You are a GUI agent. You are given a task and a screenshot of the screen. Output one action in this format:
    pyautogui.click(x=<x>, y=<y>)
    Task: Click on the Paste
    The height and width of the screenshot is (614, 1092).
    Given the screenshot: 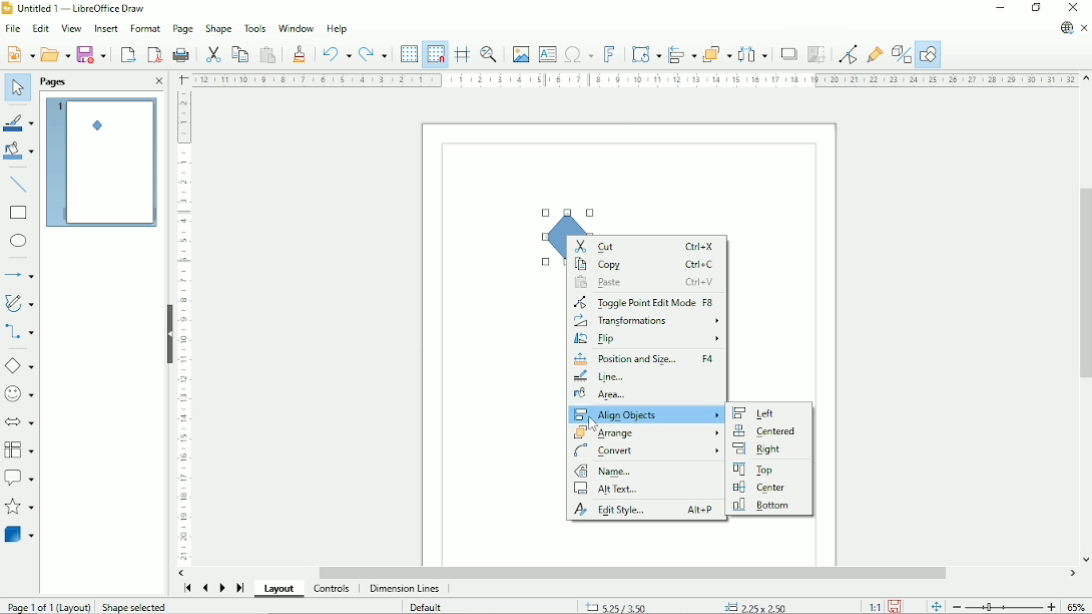 What is the action you would take?
    pyautogui.click(x=269, y=54)
    